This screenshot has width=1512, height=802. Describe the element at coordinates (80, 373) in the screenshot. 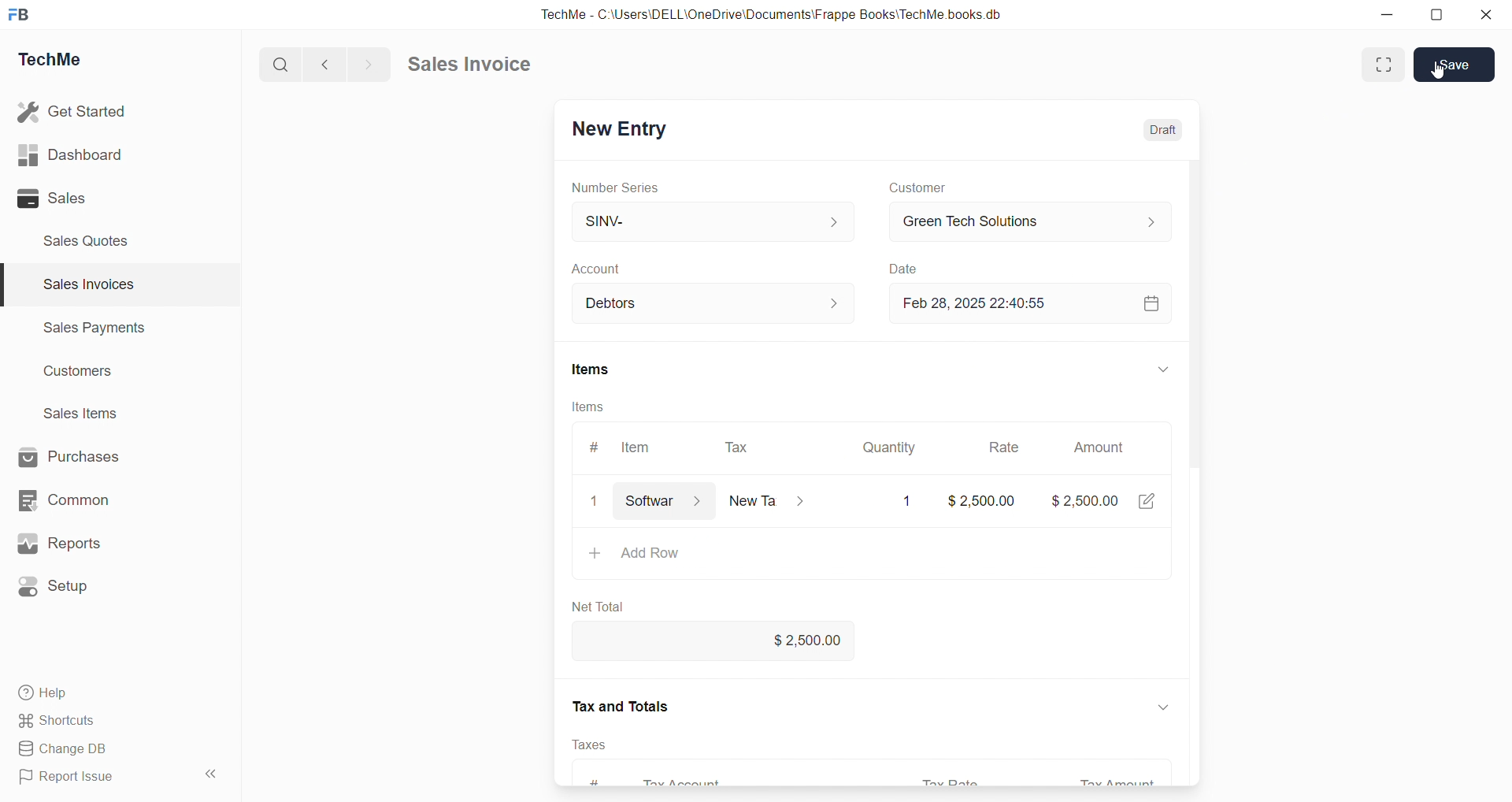

I see `Customers` at that location.